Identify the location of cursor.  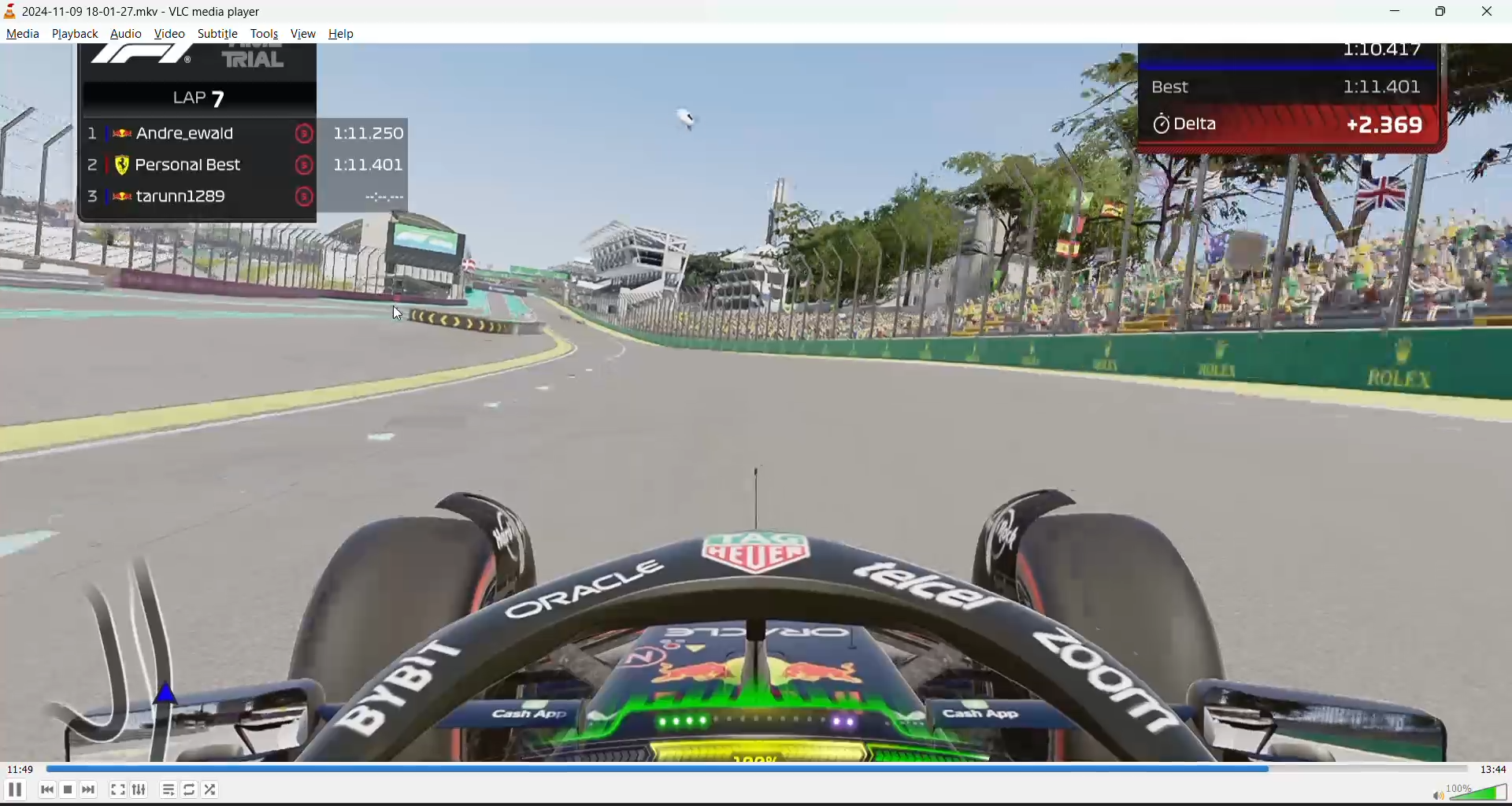
(402, 312).